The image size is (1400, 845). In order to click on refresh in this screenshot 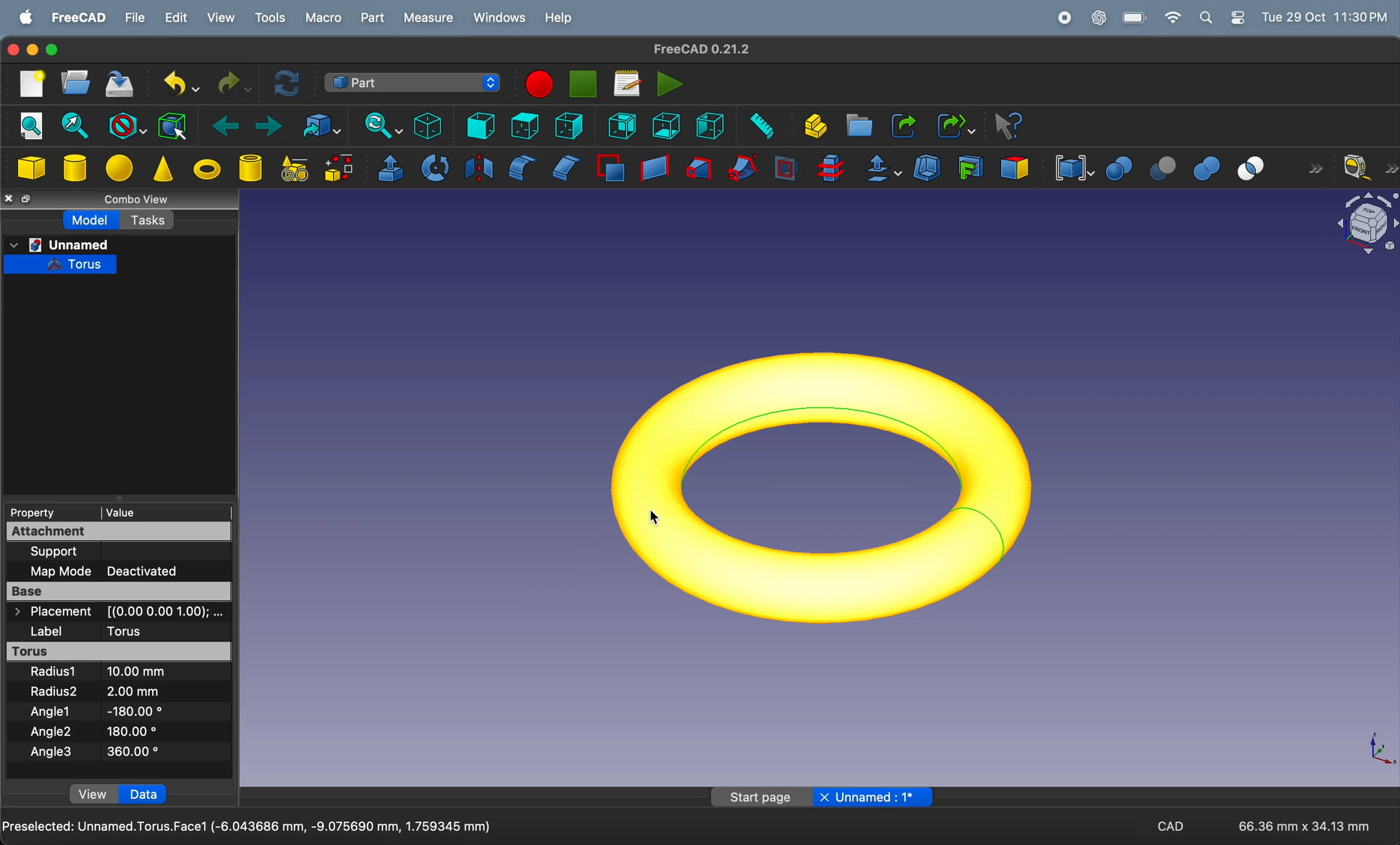, I will do `click(289, 85)`.